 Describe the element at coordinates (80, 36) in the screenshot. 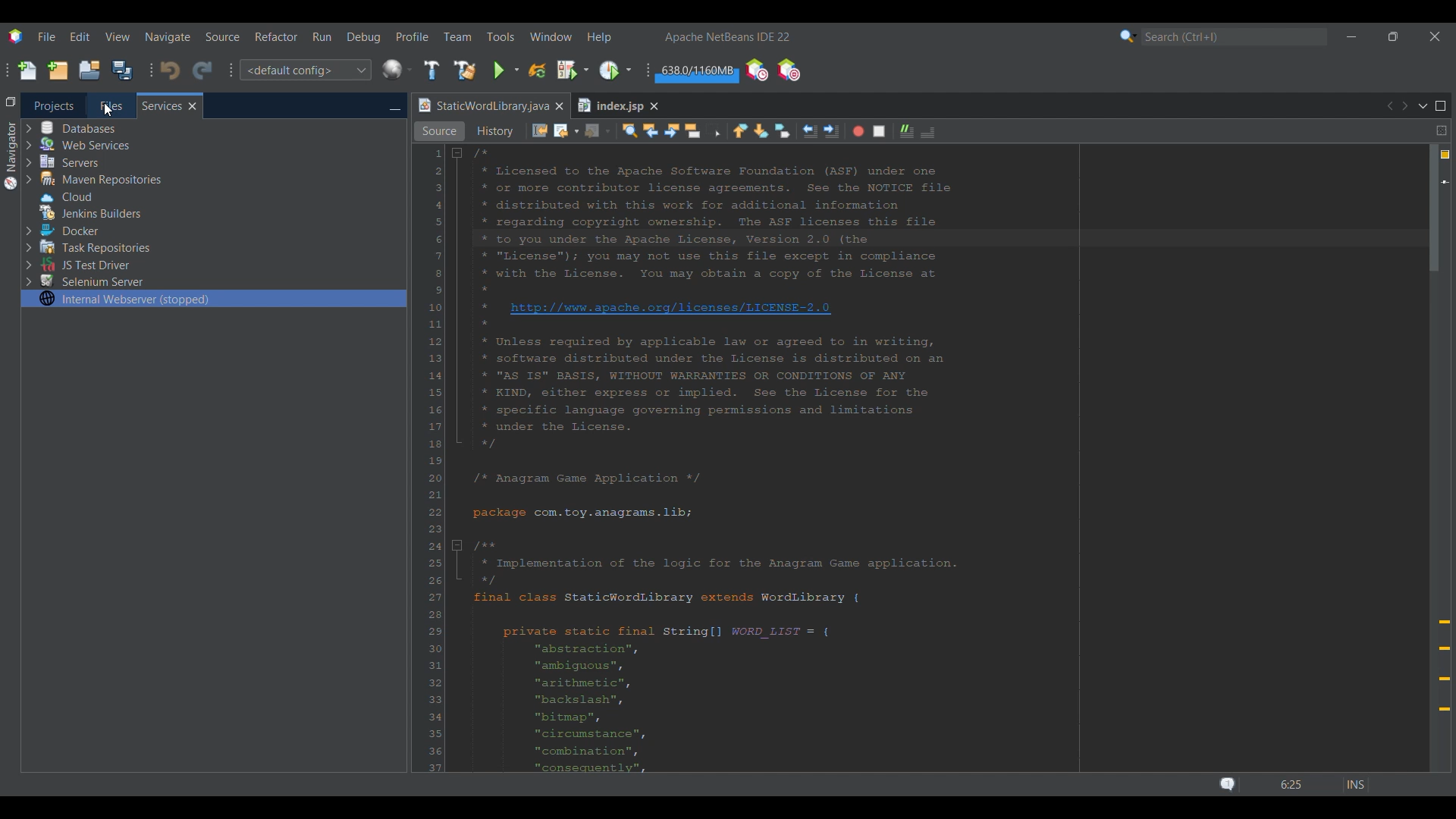

I see `Edit menu` at that location.